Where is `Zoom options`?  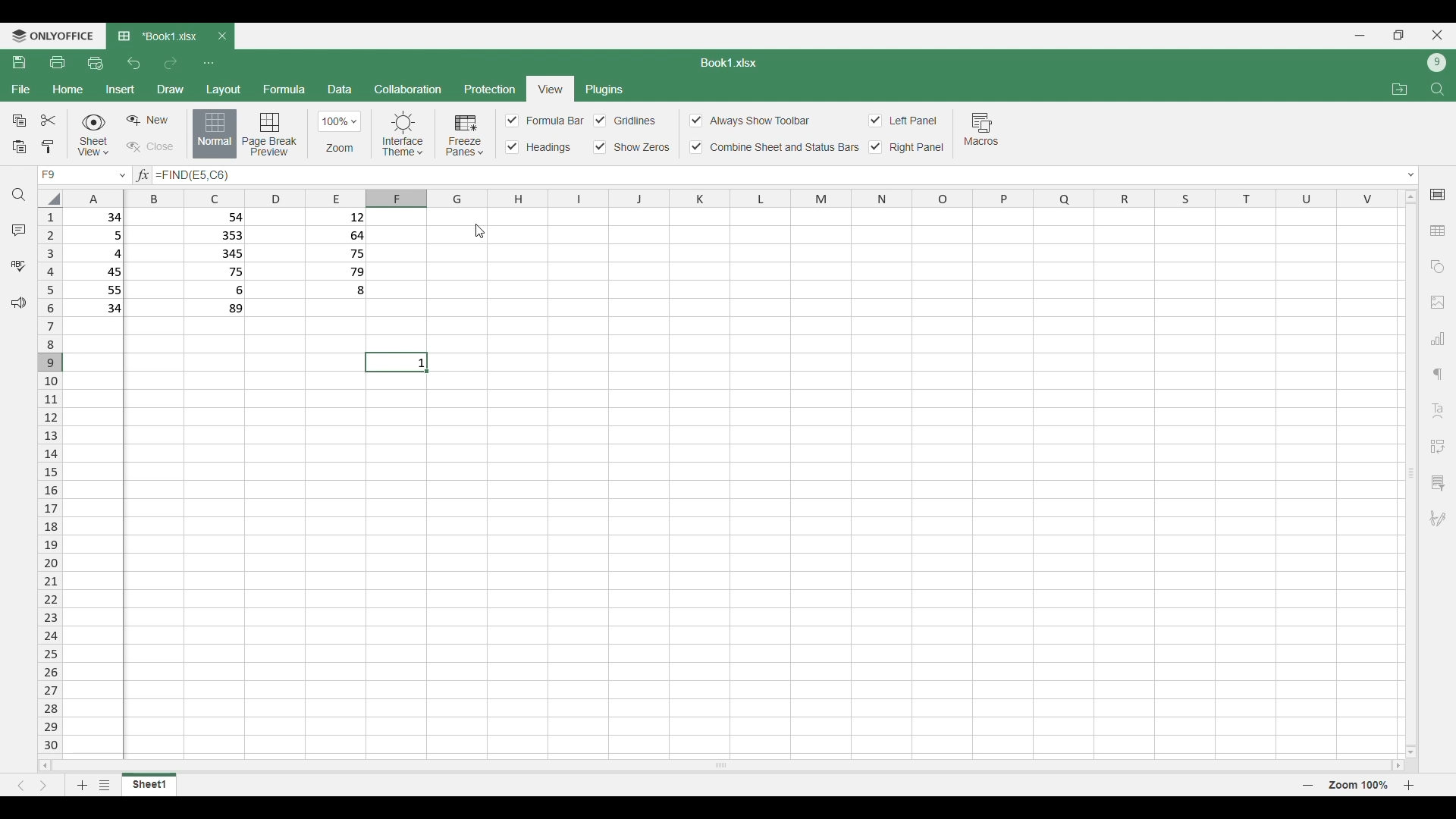 Zoom options is located at coordinates (339, 132).